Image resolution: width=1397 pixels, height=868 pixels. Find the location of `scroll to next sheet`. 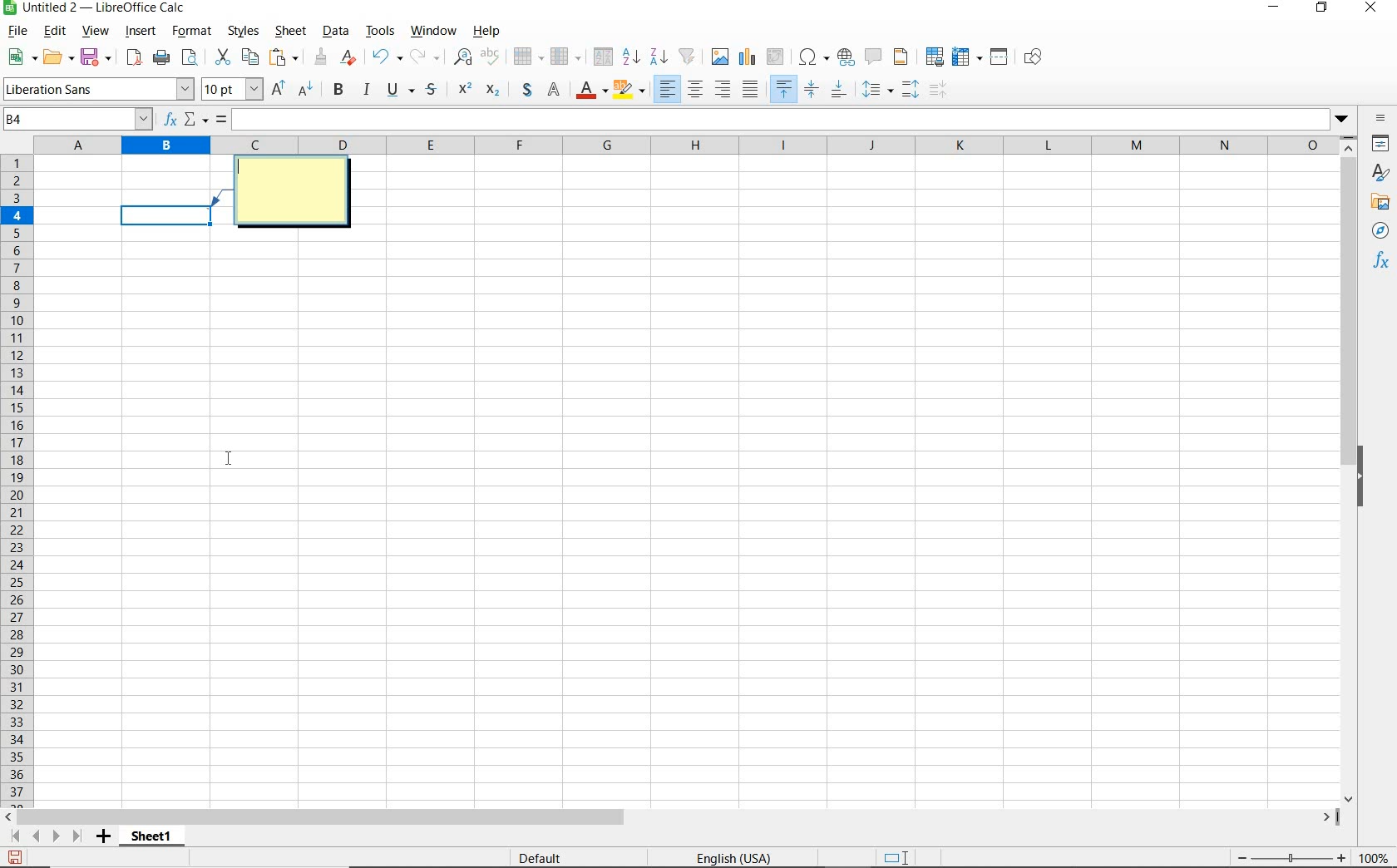

scroll to next sheet is located at coordinates (45, 838).